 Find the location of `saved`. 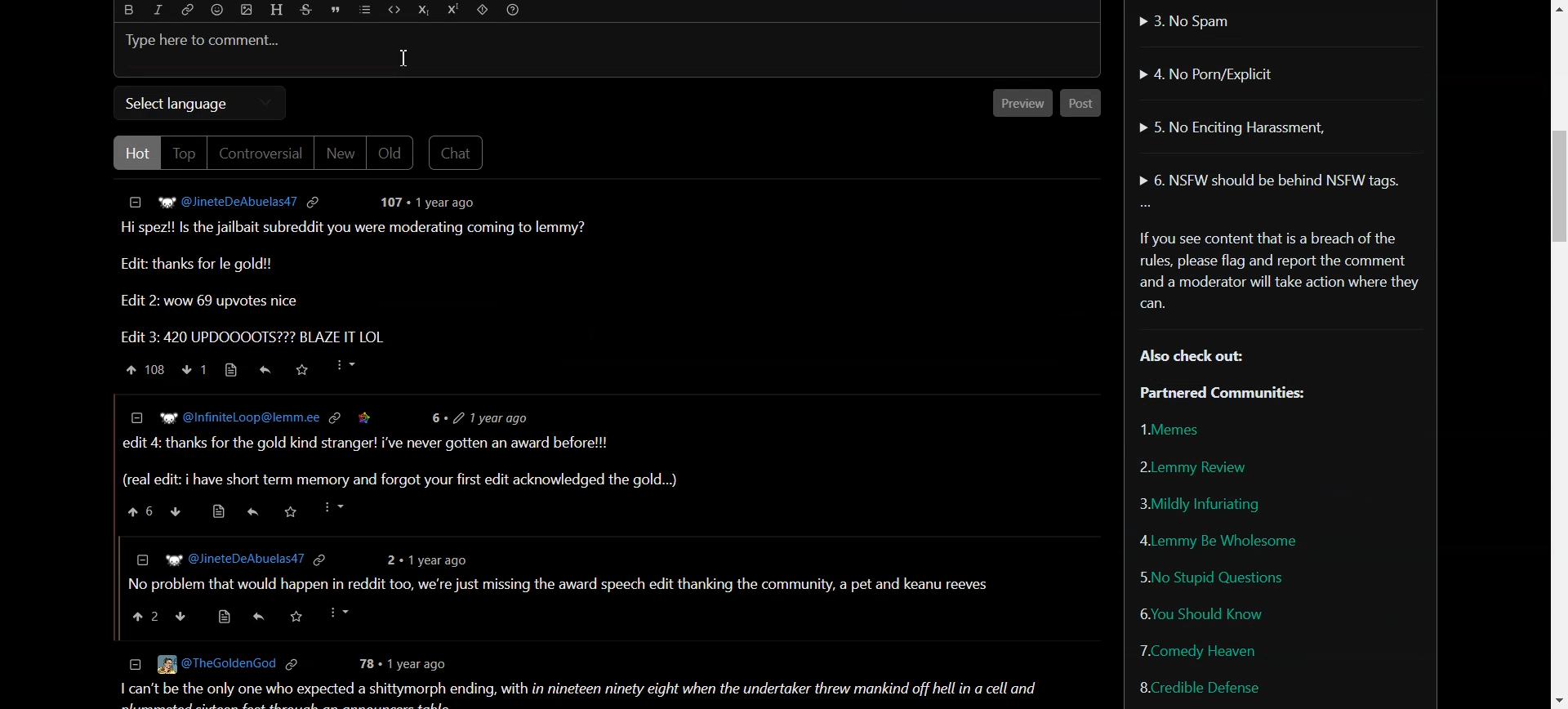

saved is located at coordinates (292, 512).